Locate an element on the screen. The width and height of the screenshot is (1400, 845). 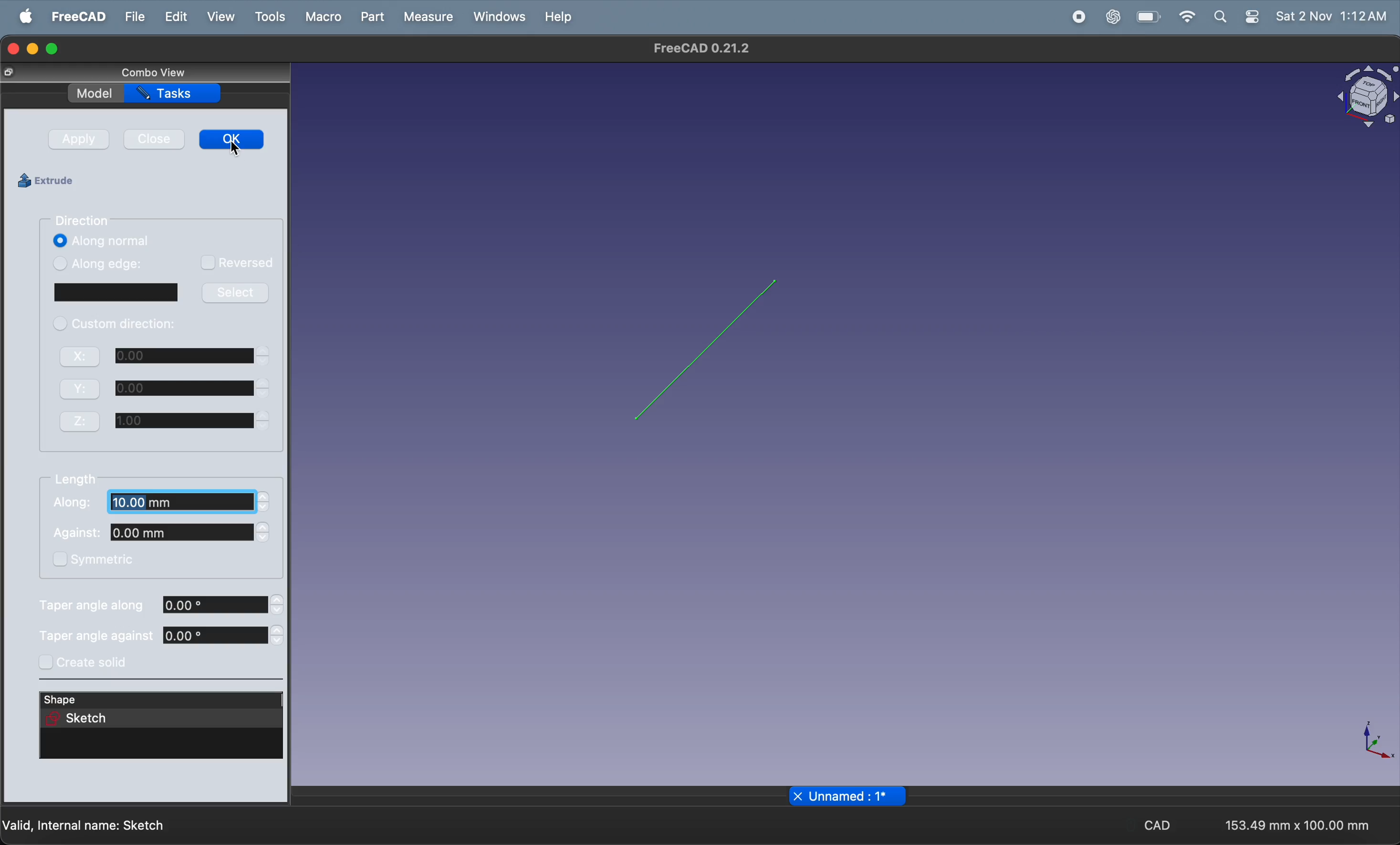
search is located at coordinates (1221, 18).